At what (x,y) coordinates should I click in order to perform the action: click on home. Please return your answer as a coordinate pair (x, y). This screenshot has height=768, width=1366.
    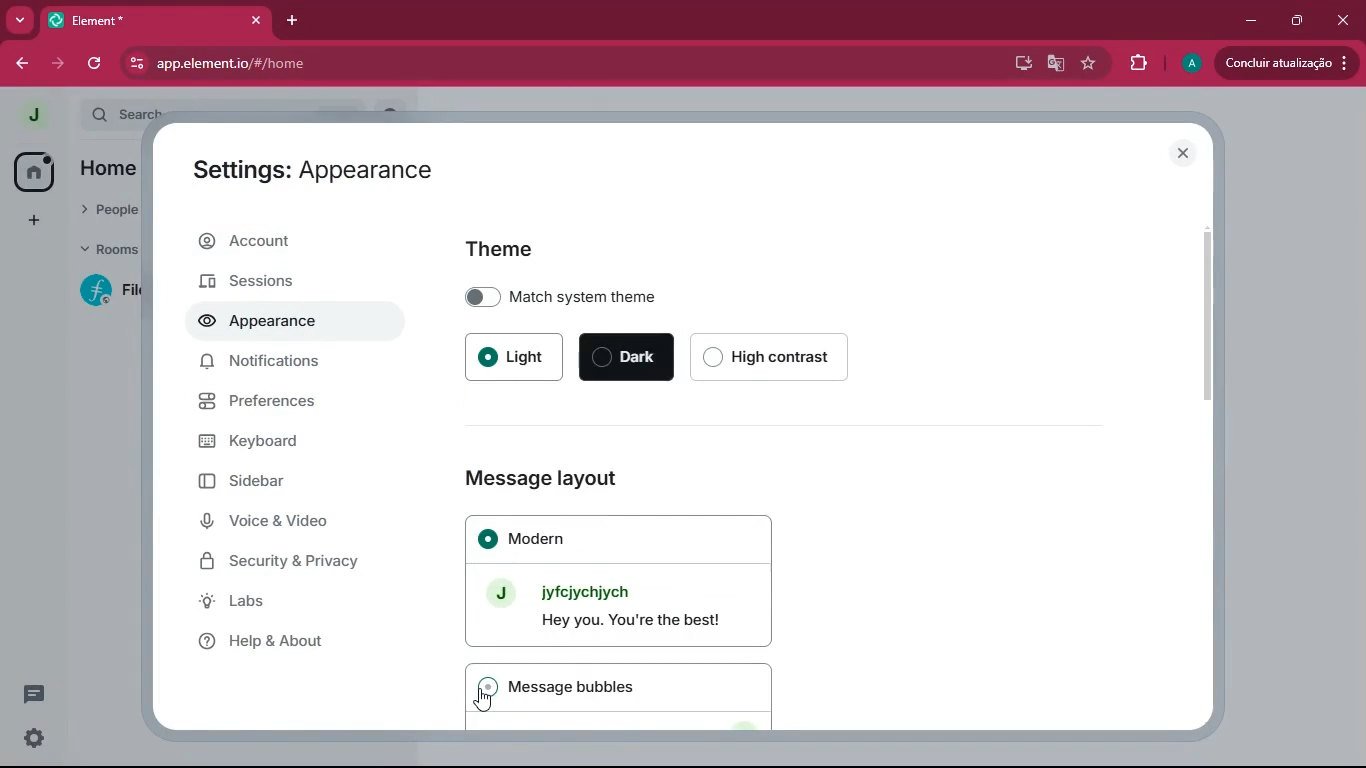
    Looking at the image, I should click on (113, 169).